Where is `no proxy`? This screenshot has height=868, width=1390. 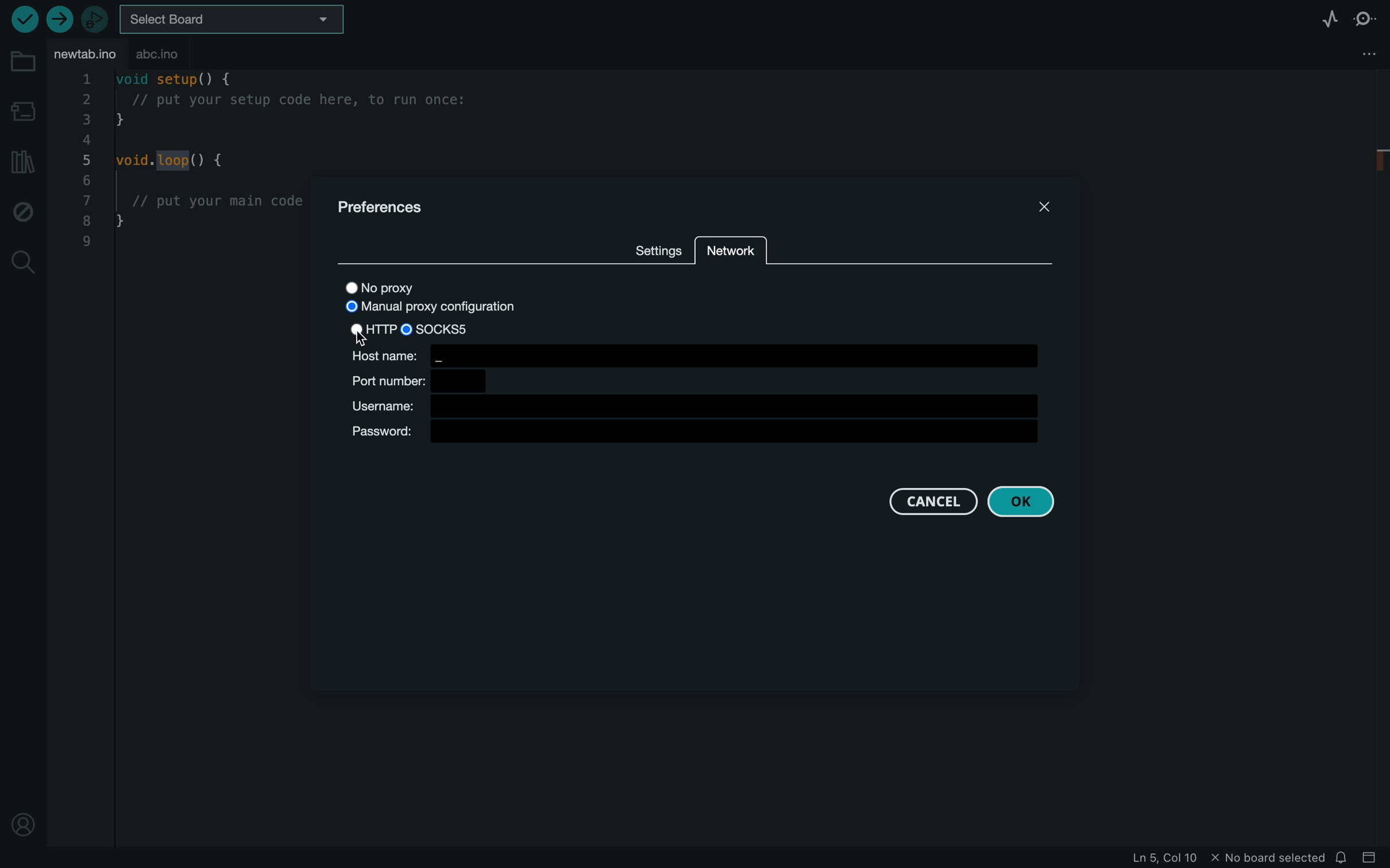
no proxy is located at coordinates (392, 286).